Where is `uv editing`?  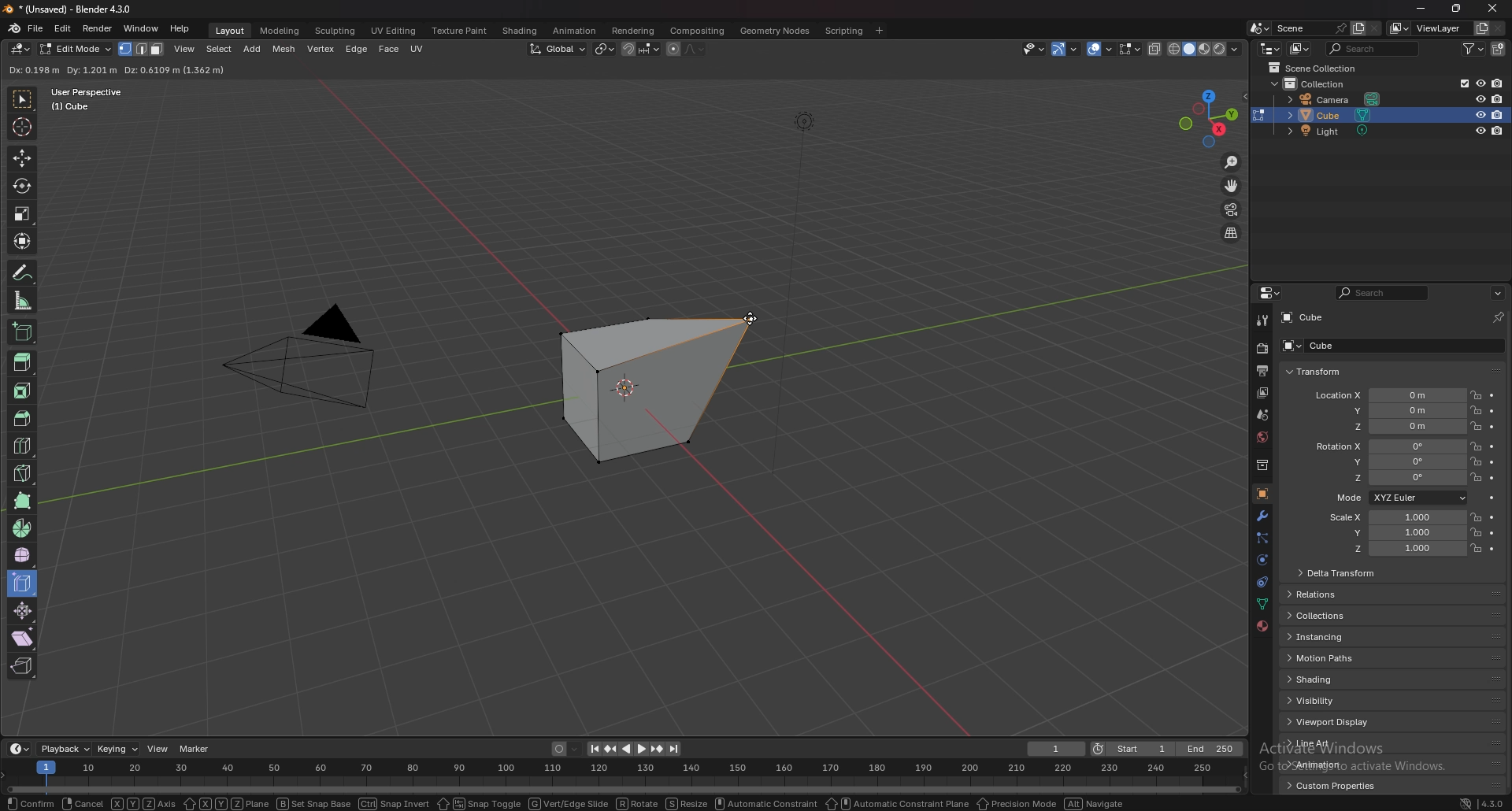 uv editing is located at coordinates (395, 31).